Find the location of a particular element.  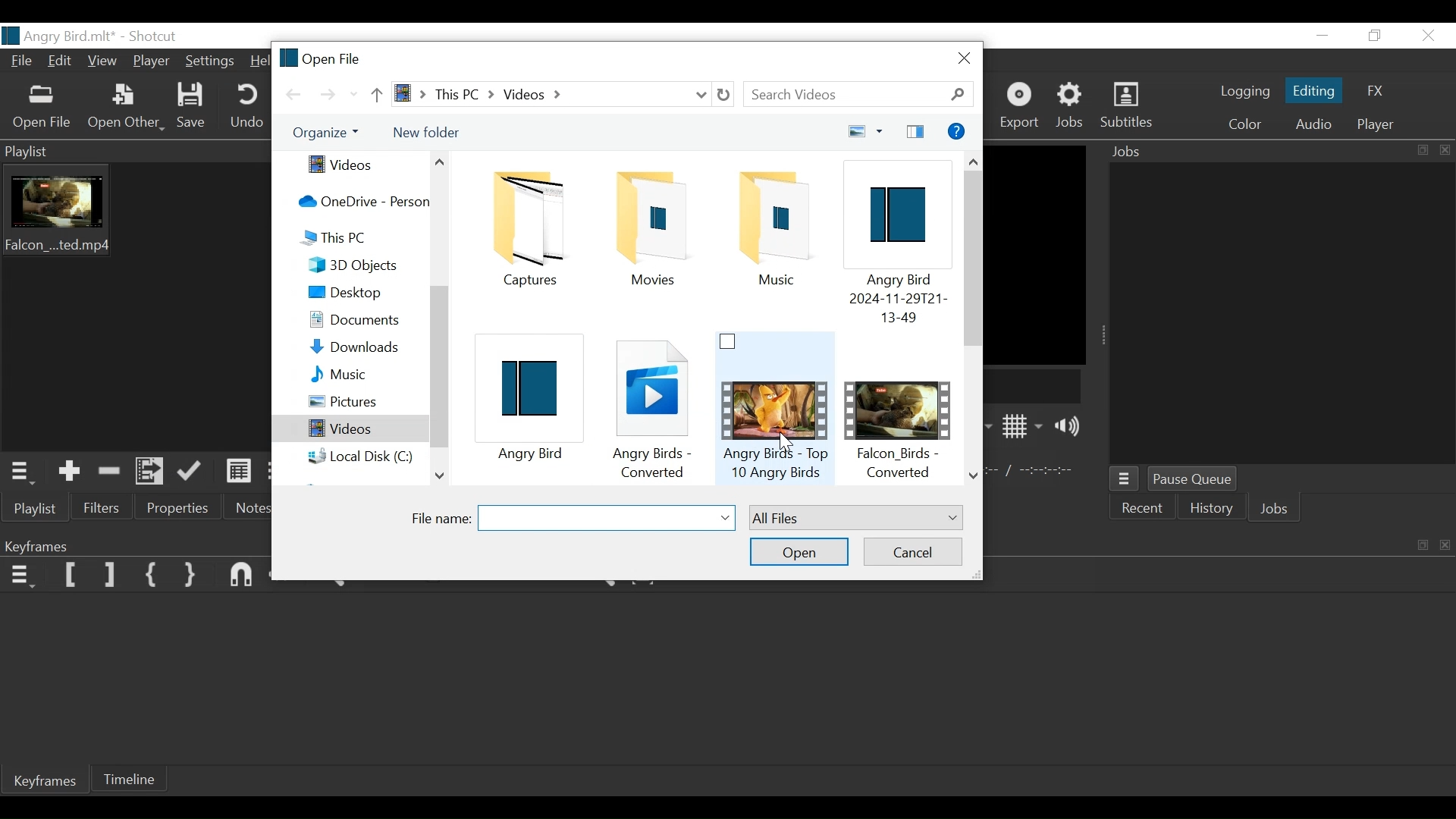

Videos is located at coordinates (358, 165).